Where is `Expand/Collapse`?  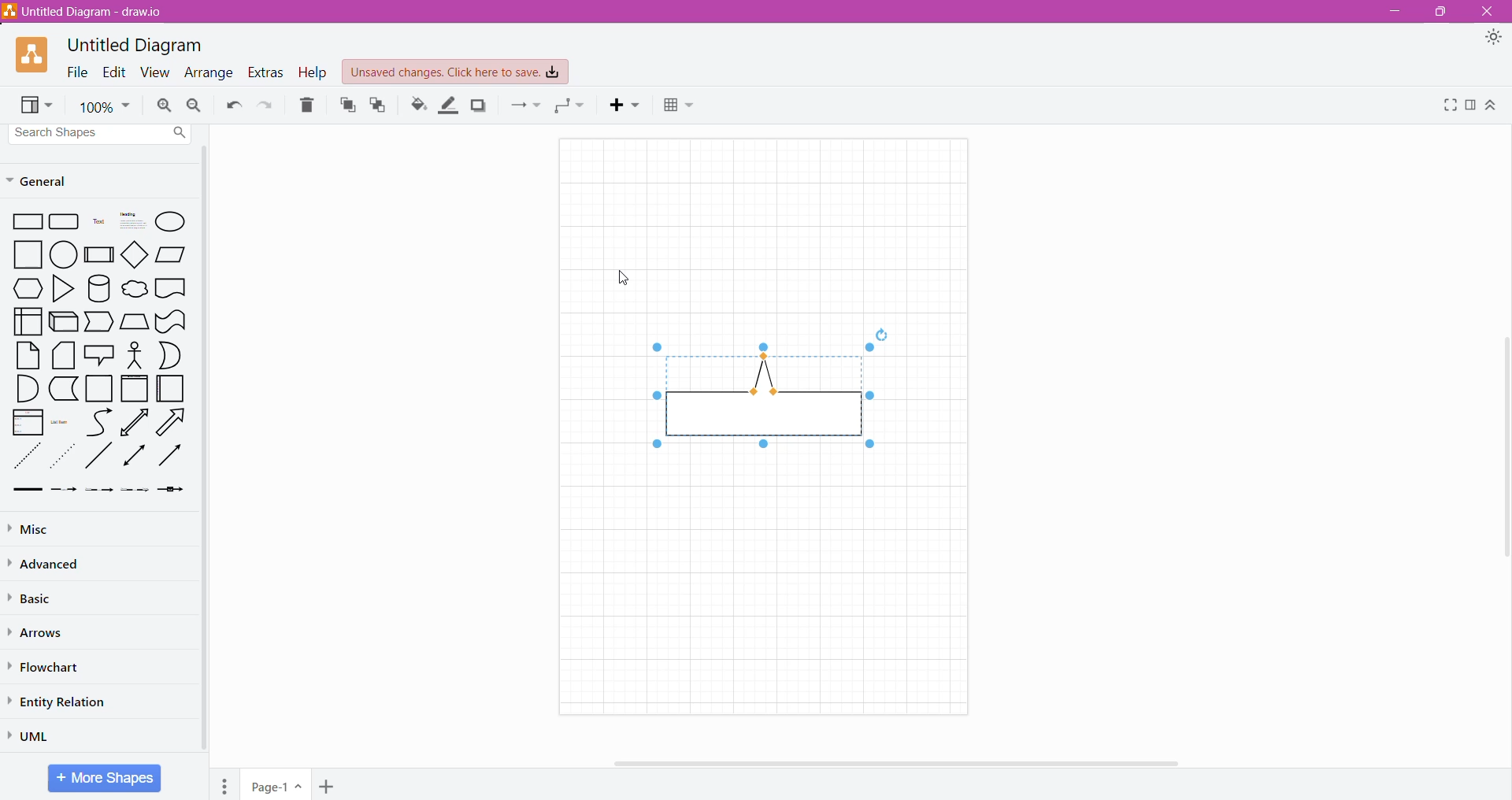 Expand/Collapse is located at coordinates (1492, 106).